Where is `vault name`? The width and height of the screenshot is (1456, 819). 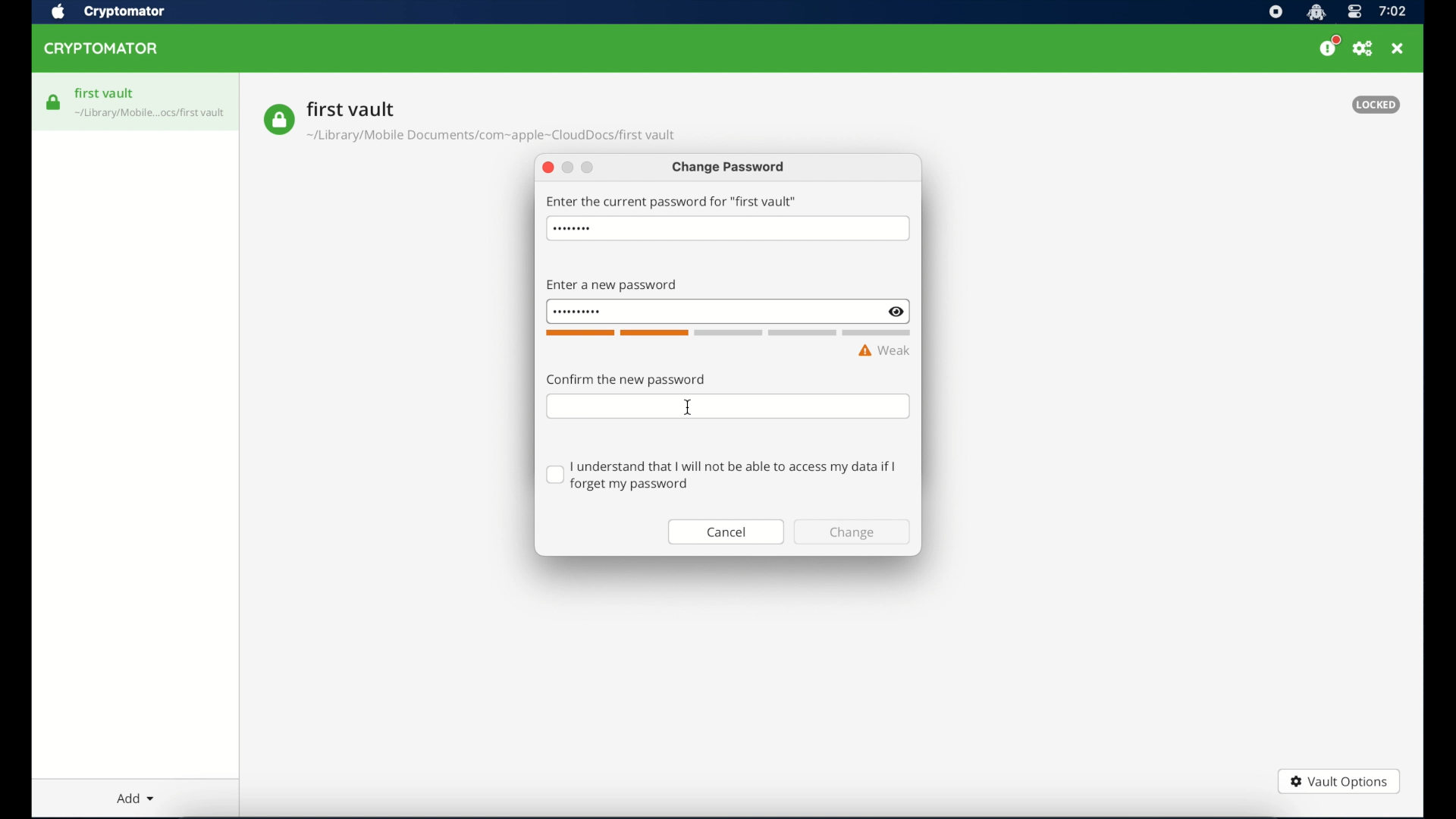
vault name is located at coordinates (351, 108).